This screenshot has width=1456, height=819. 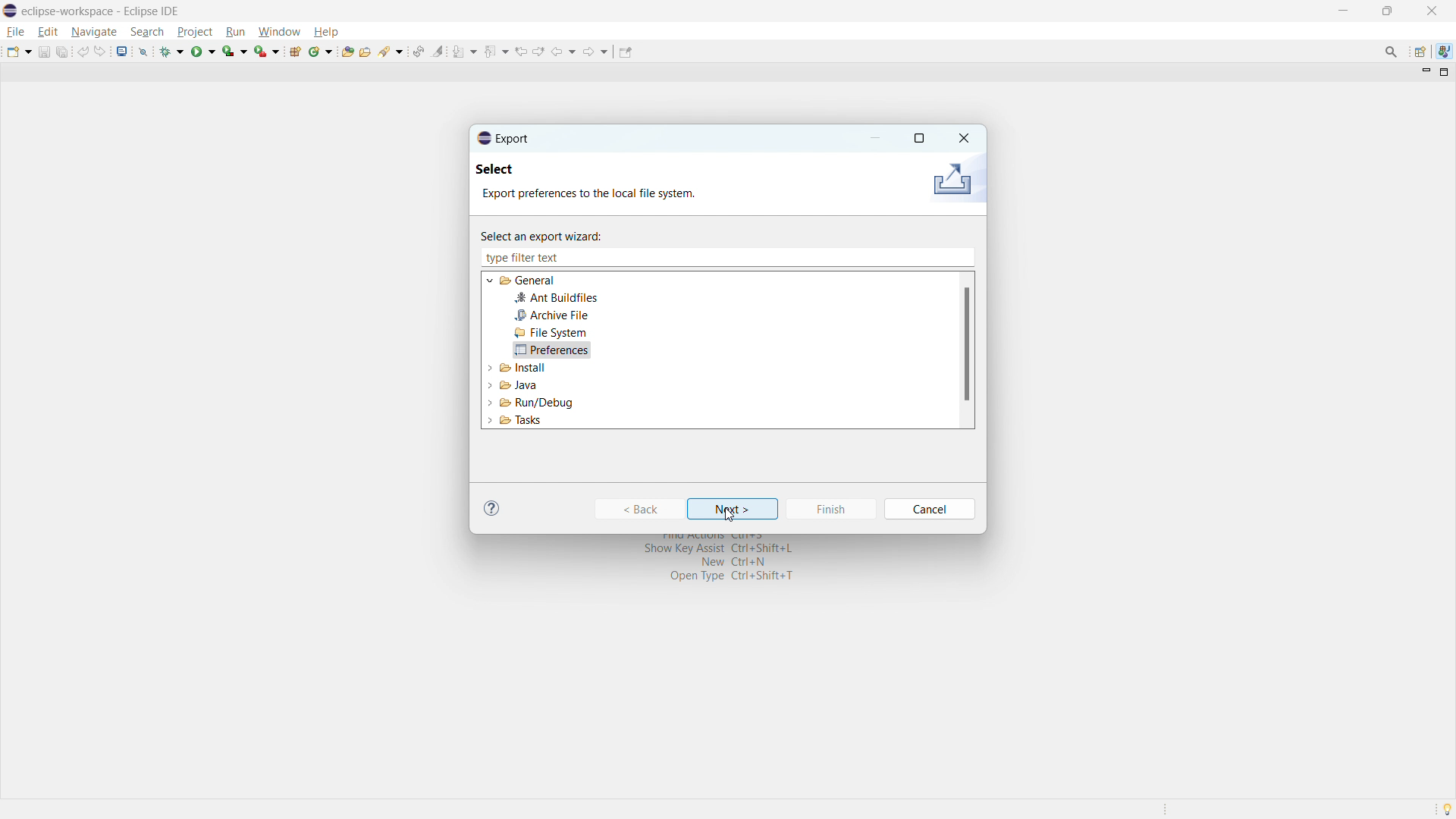 What do you see at coordinates (734, 509) in the screenshot?
I see `next` at bounding box center [734, 509].